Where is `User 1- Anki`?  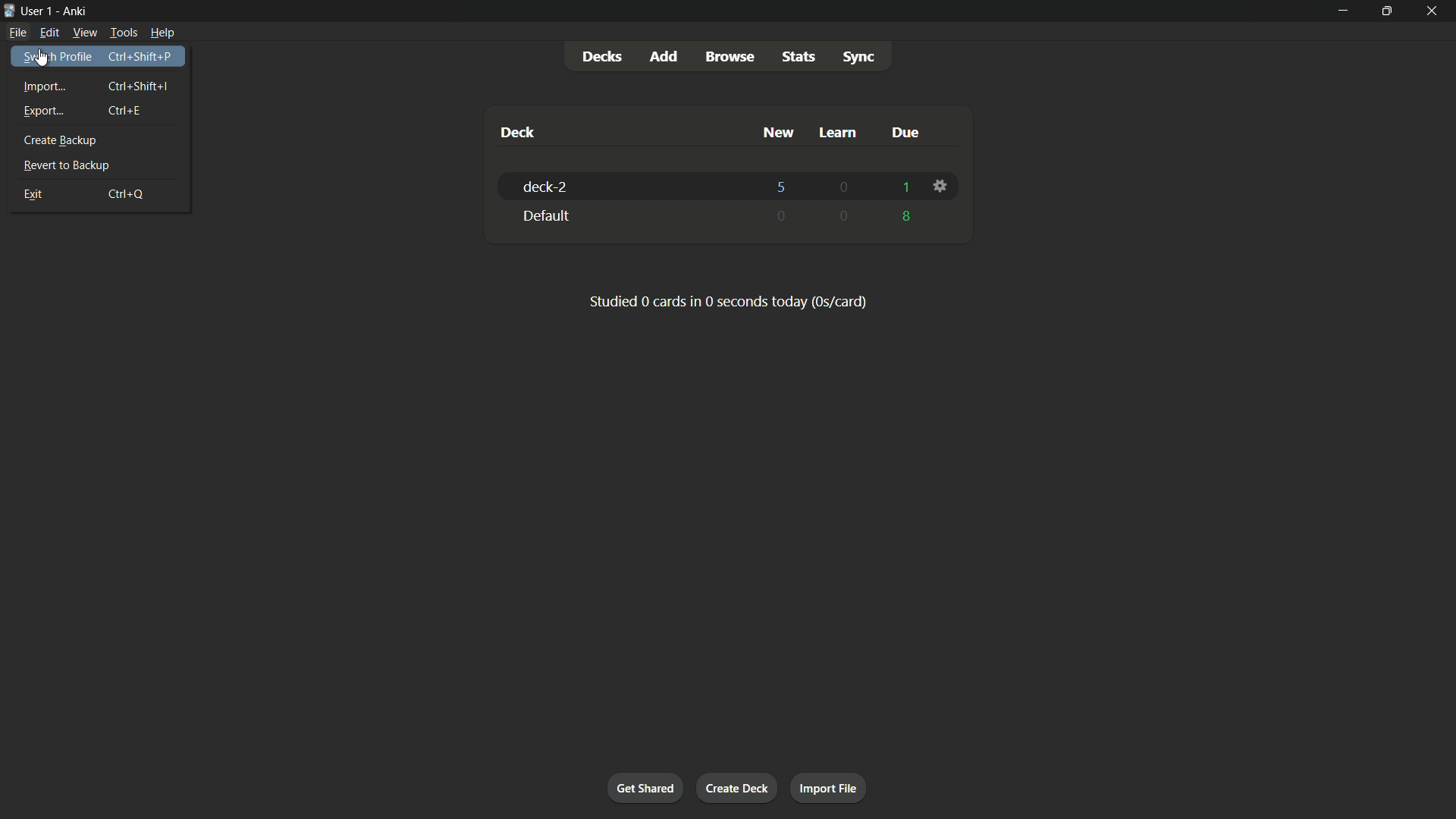
User 1- Anki is located at coordinates (660, 10).